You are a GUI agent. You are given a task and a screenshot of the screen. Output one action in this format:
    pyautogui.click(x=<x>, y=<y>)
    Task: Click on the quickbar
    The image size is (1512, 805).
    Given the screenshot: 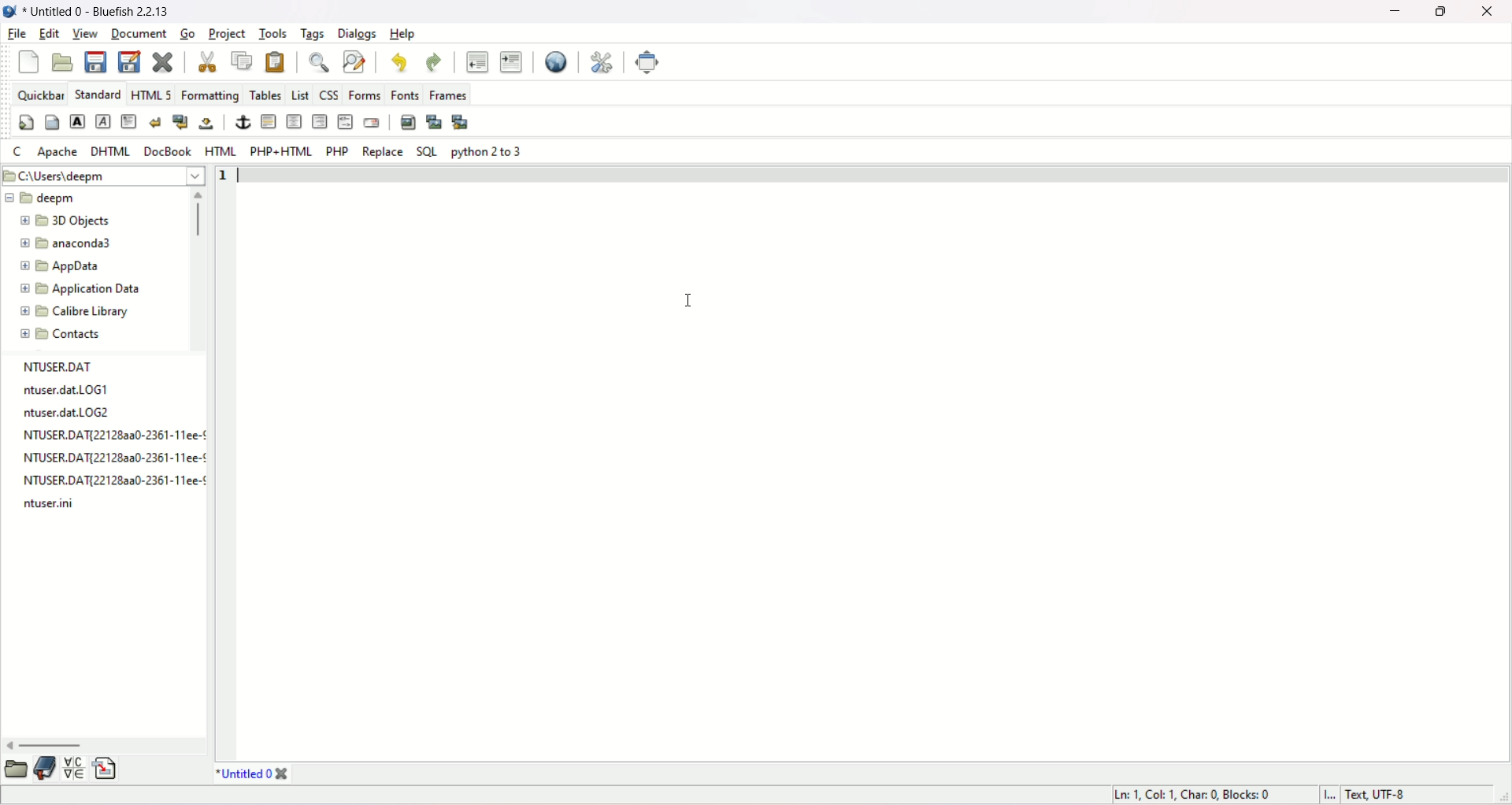 What is the action you would take?
    pyautogui.click(x=41, y=95)
    